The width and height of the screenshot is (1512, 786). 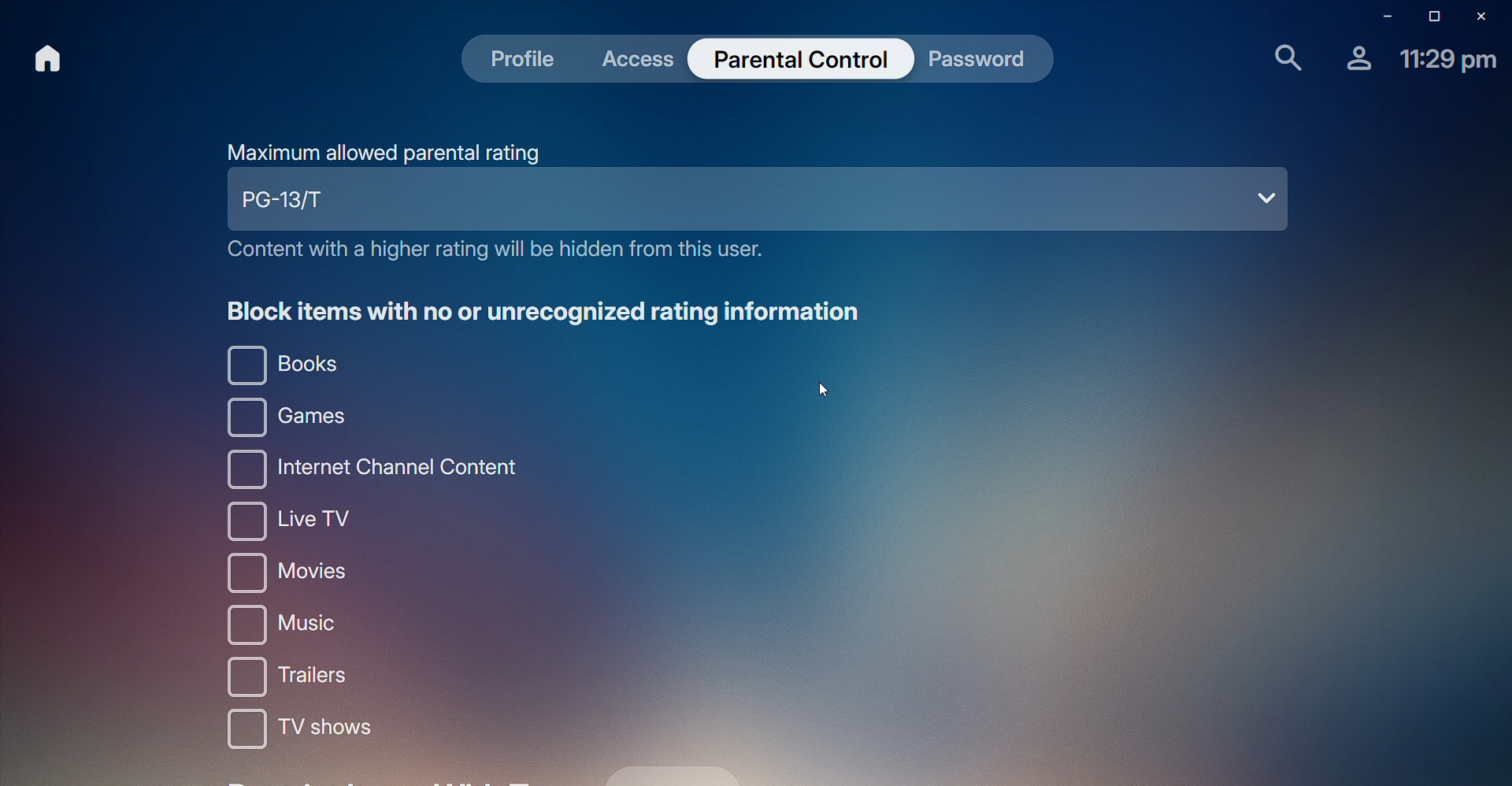 I want to click on Restore, so click(x=1430, y=16).